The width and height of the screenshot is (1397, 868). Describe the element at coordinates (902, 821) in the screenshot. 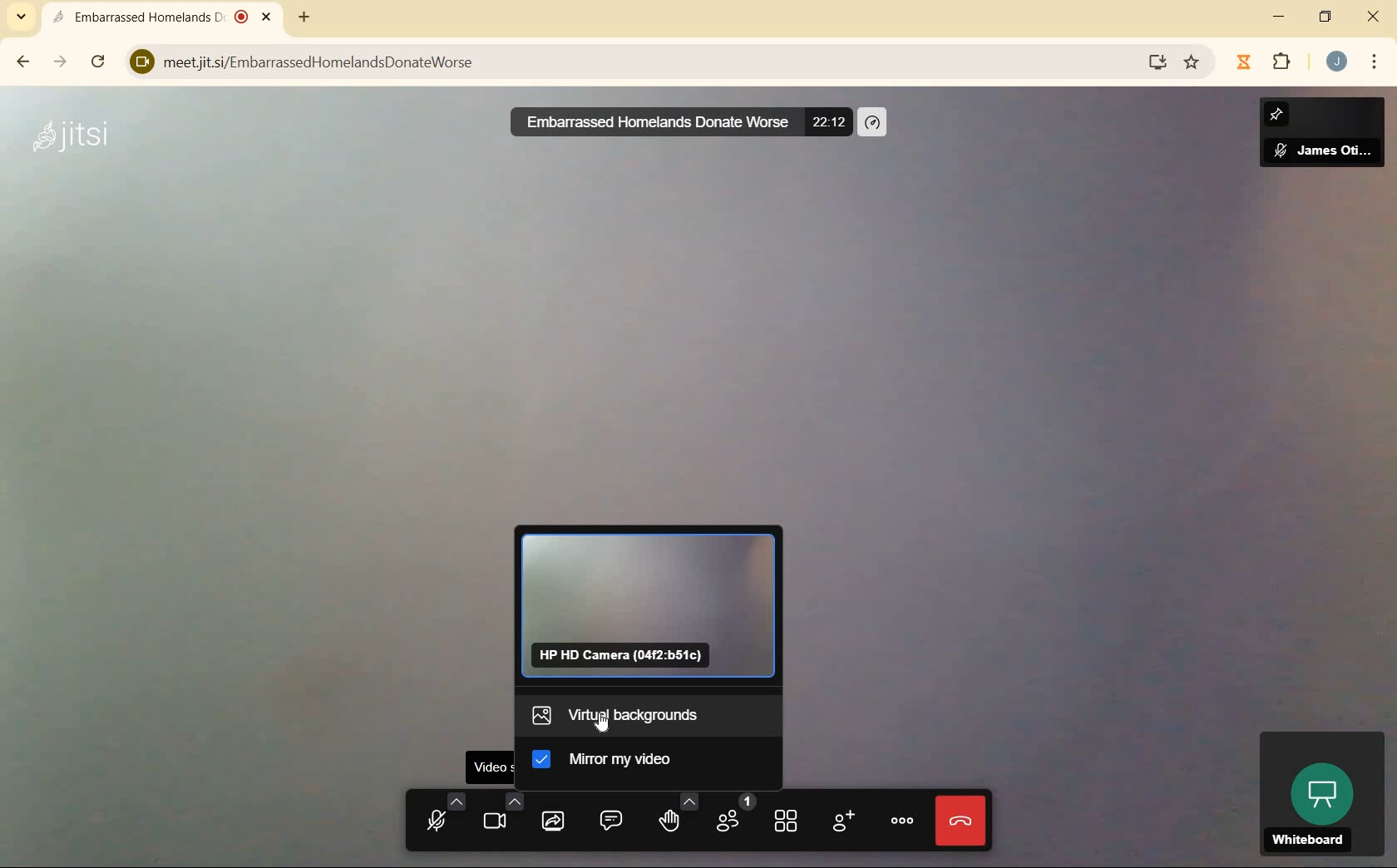

I see `more actions` at that location.